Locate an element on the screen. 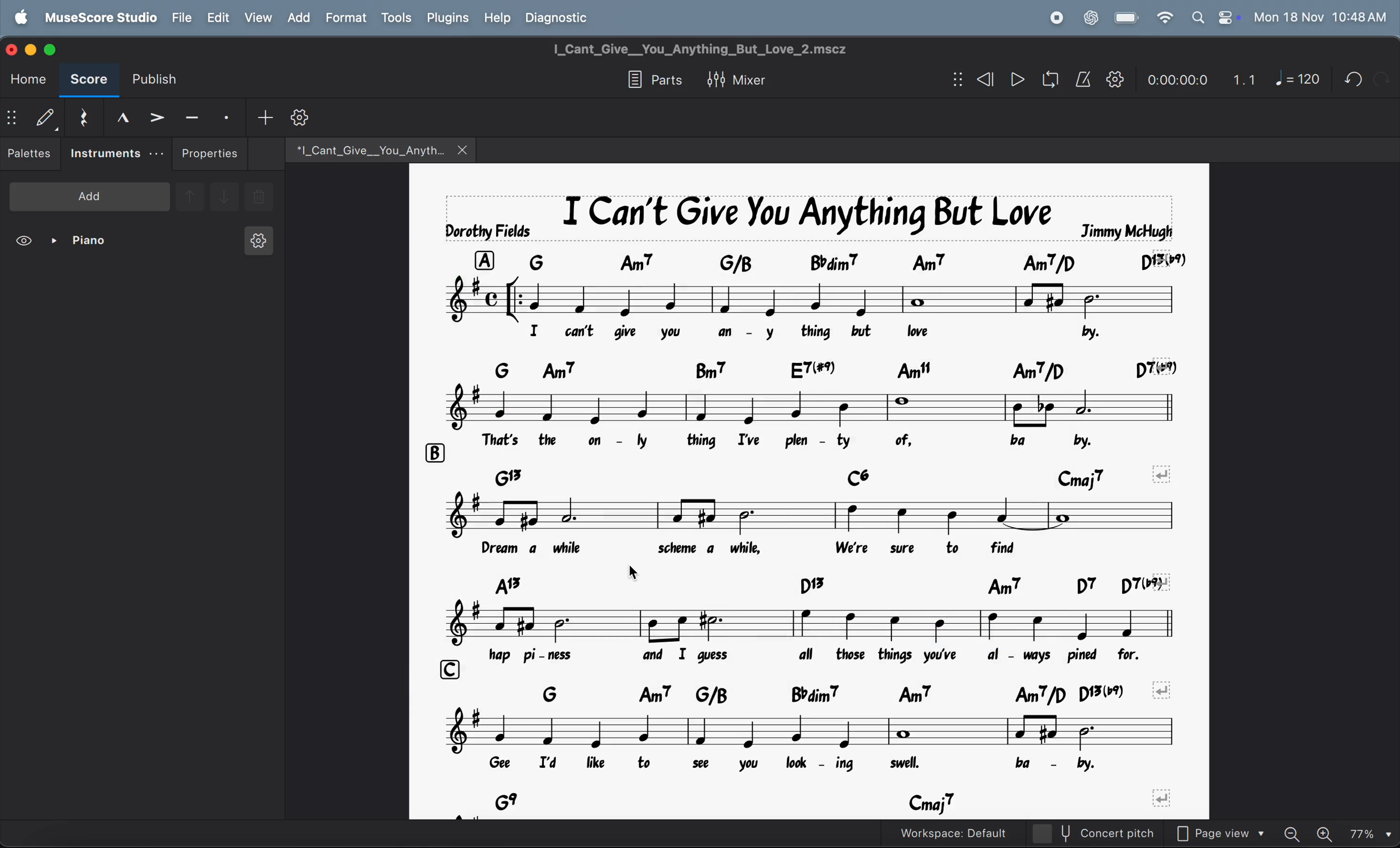  delete is located at coordinates (259, 198).